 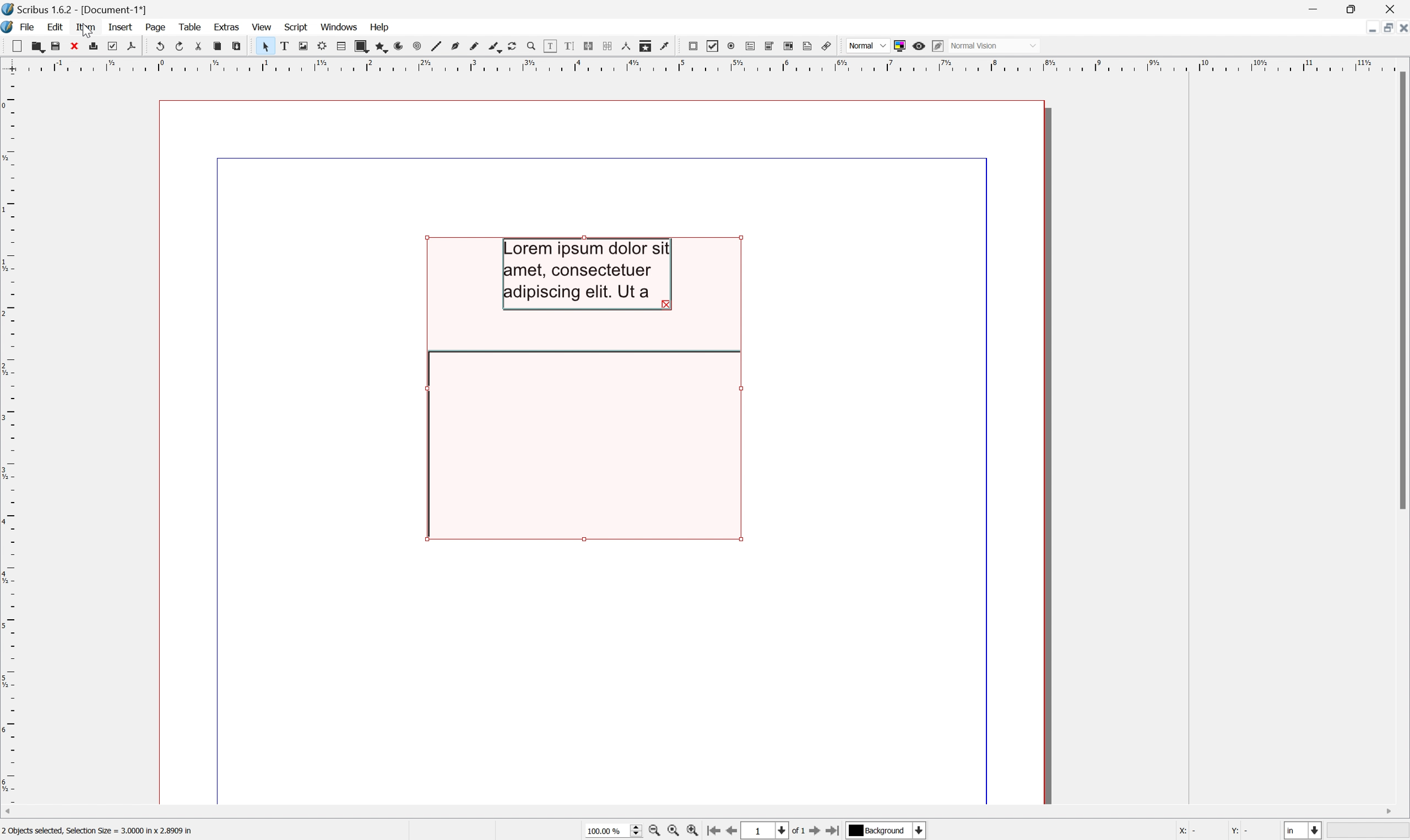 I want to click on Go to the first page, so click(x=715, y=832).